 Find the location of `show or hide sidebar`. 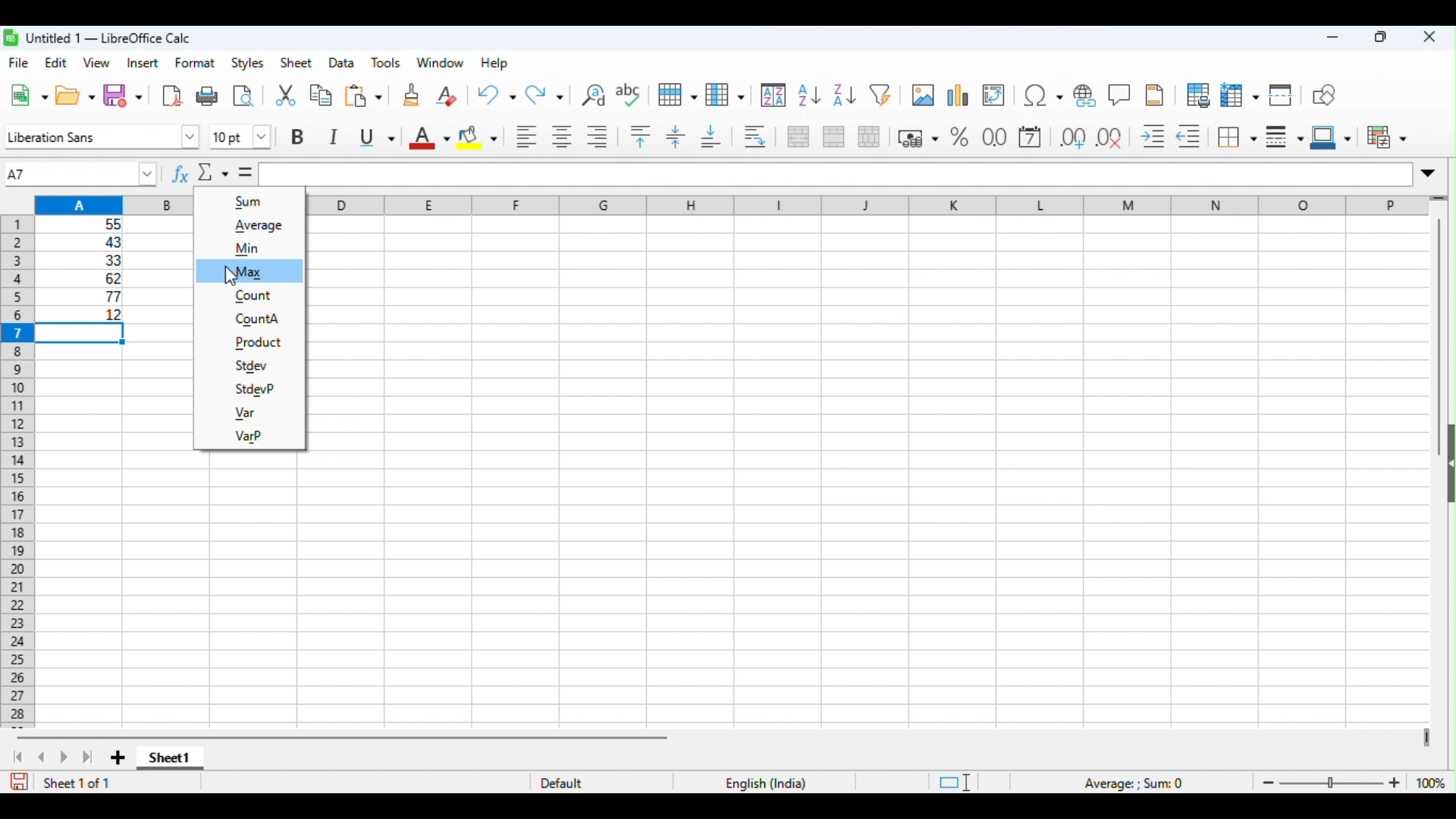

show or hide sidebar is located at coordinates (1447, 469).